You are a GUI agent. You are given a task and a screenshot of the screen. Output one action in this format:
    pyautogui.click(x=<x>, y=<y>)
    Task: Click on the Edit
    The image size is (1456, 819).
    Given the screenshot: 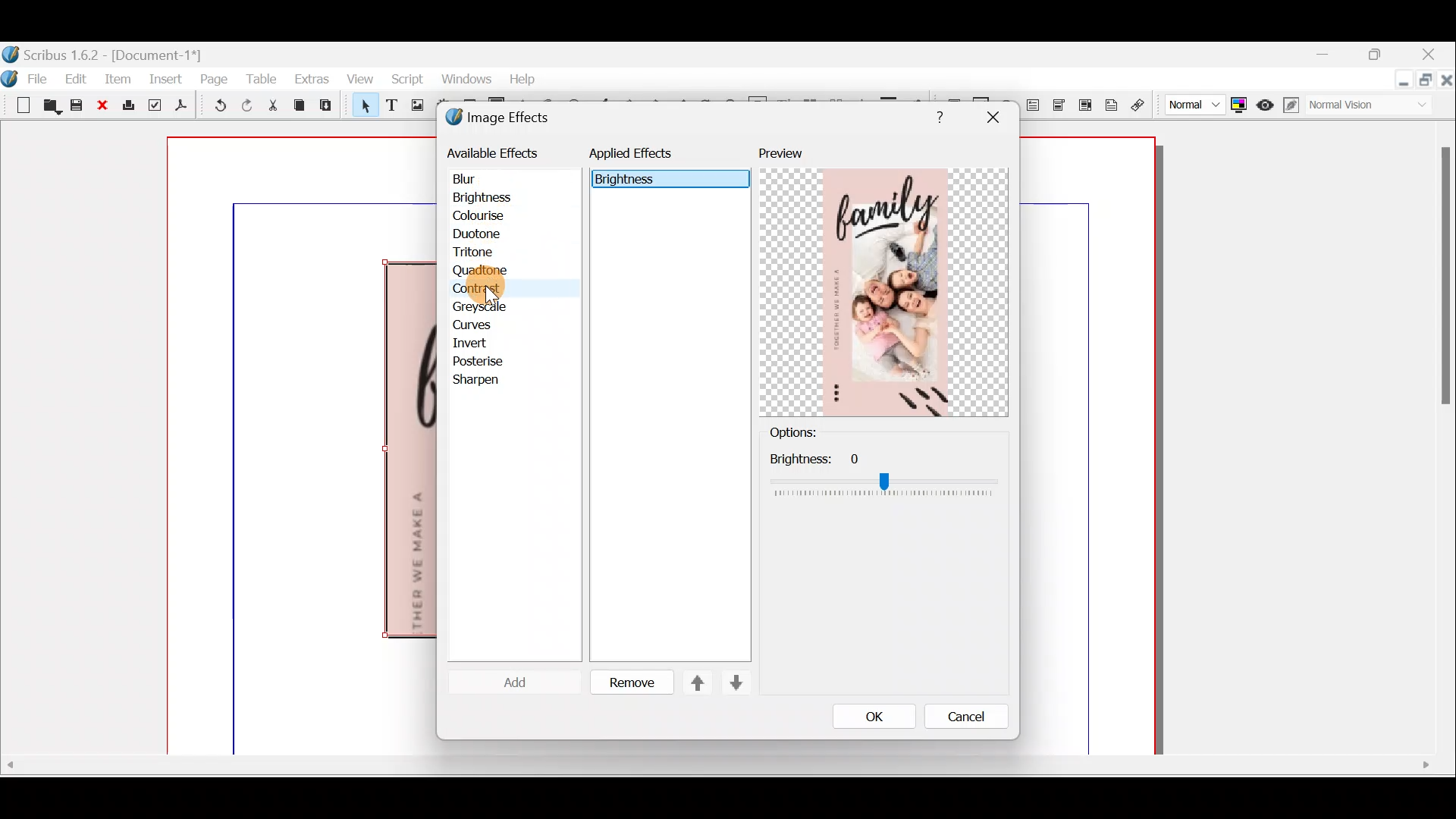 What is the action you would take?
    pyautogui.click(x=78, y=78)
    